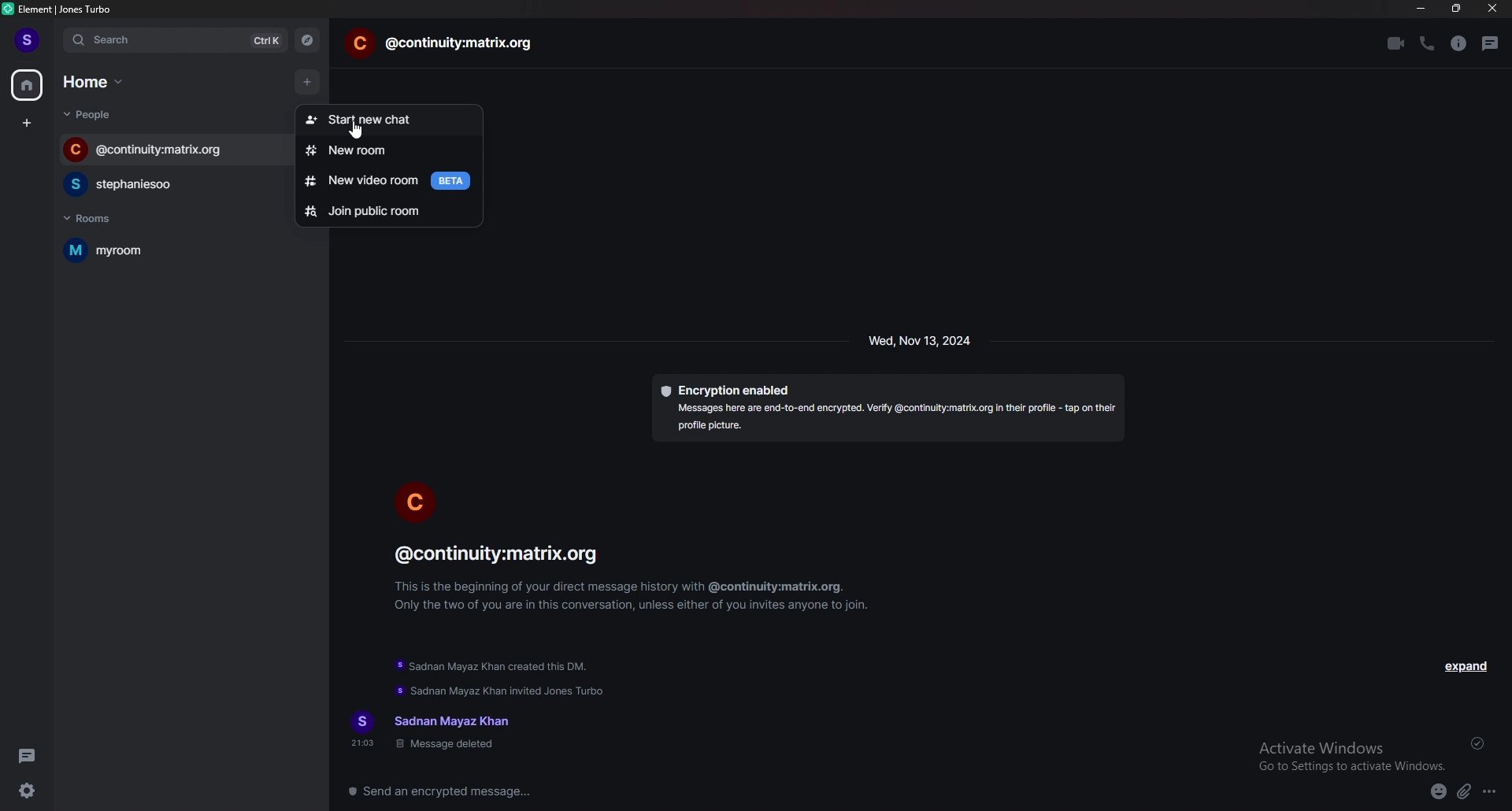  I want to click on close, so click(1492, 9).